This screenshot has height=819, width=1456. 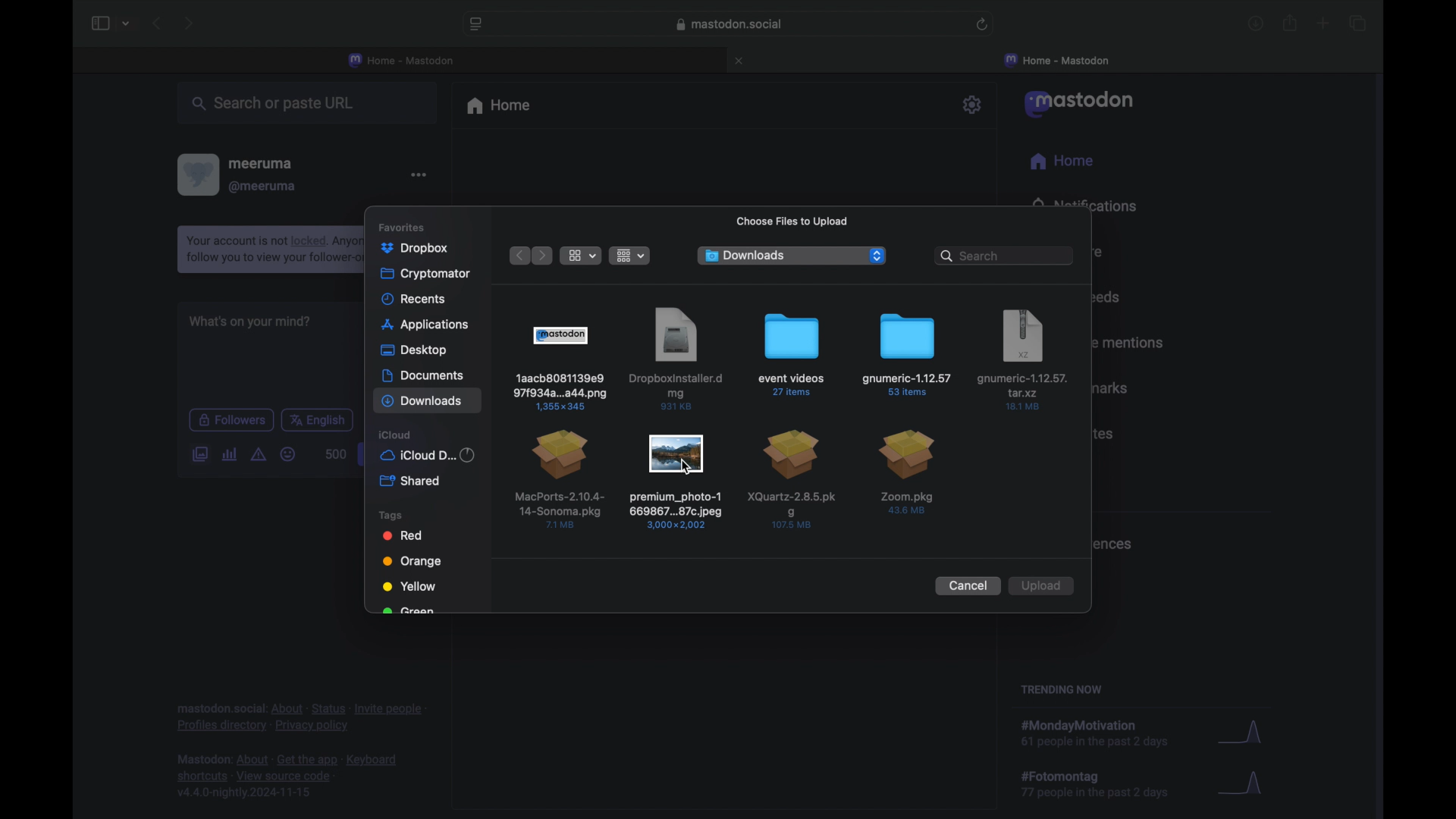 I want to click on new tab, so click(x=1323, y=24).